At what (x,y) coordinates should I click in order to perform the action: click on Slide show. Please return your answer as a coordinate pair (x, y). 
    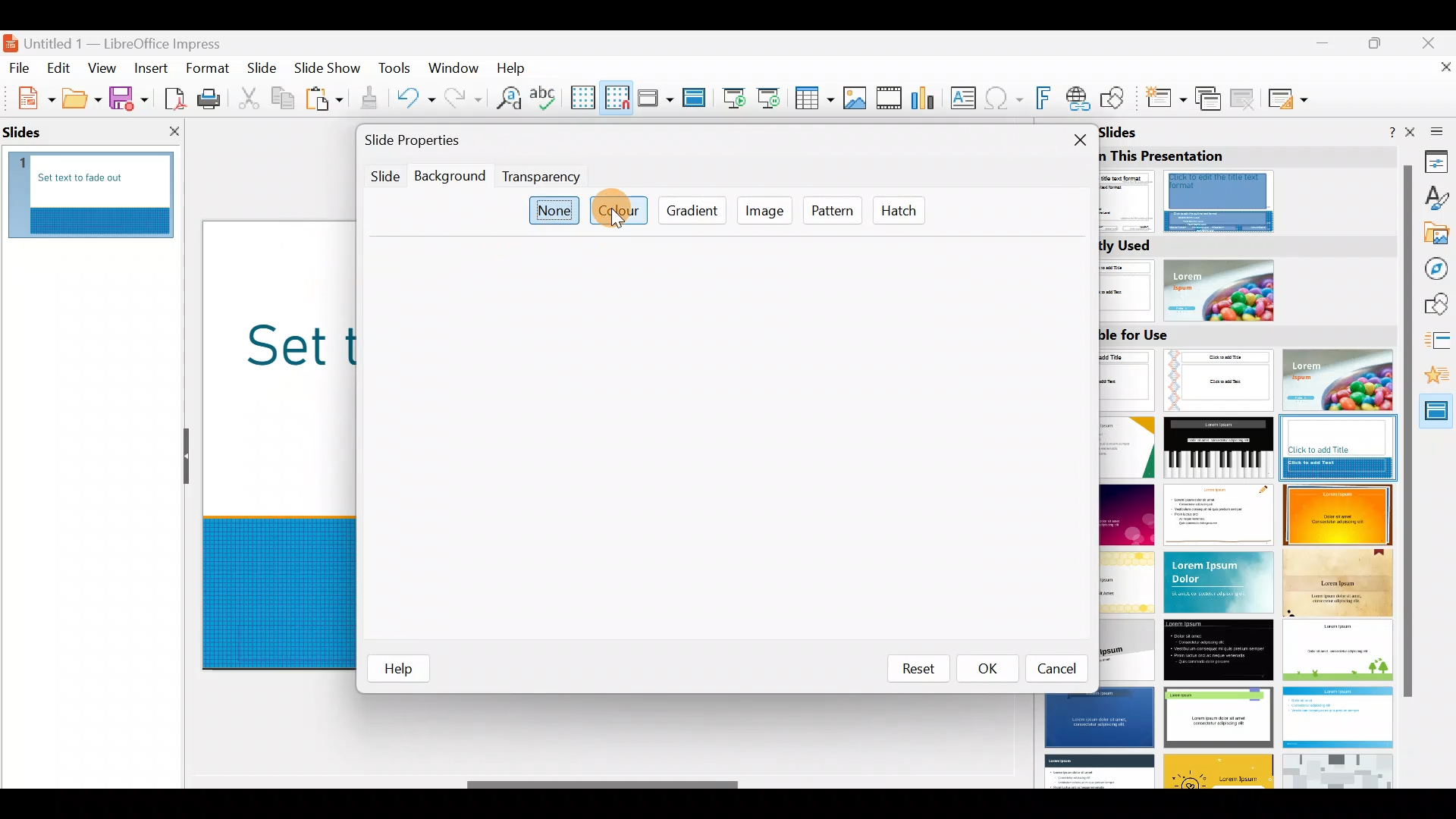
    Looking at the image, I should click on (331, 70).